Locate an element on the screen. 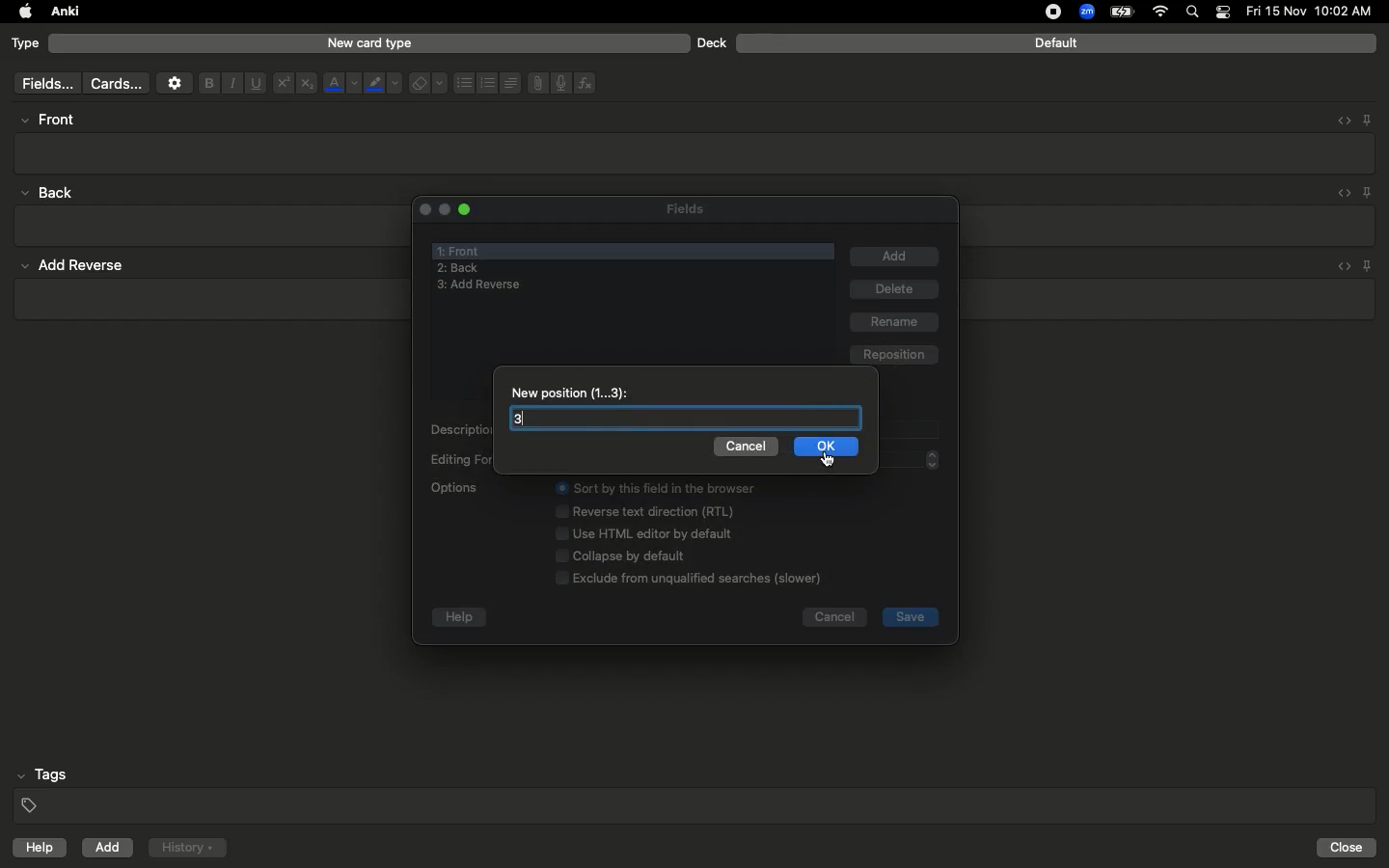  cursor is located at coordinates (828, 459).